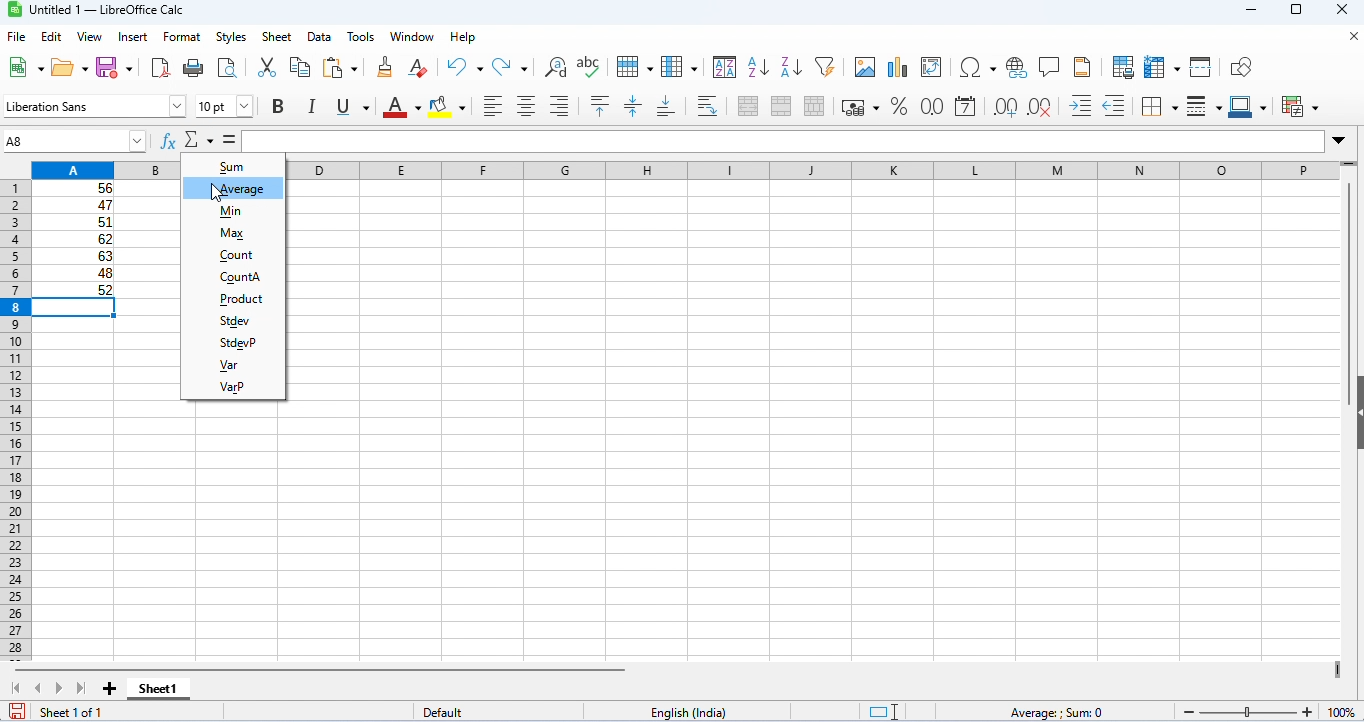 The image size is (1364, 722). I want to click on range of cells, so click(74, 239).